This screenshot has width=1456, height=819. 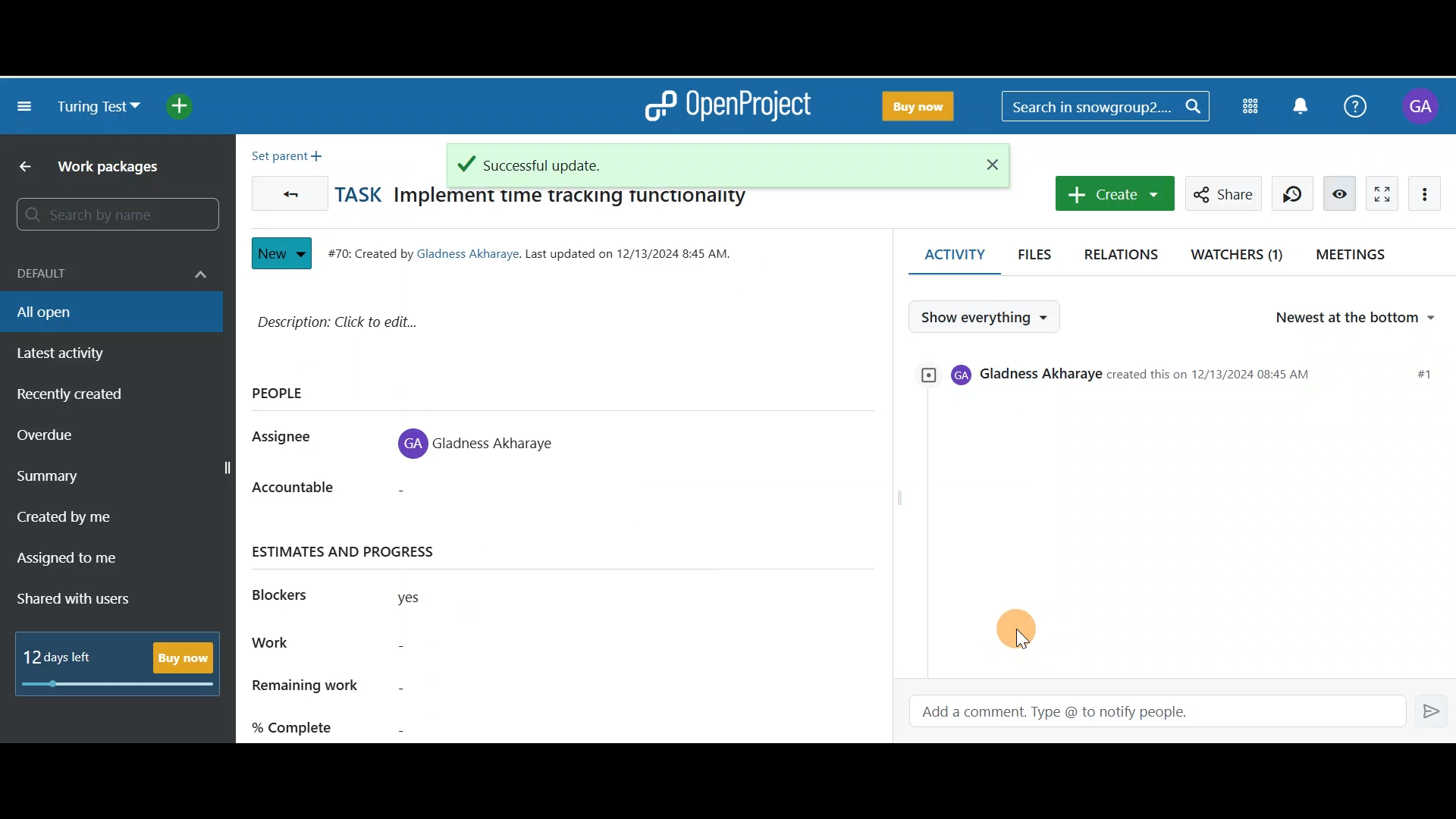 I want to click on Gladness Akharaye, so click(x=484, y=439).